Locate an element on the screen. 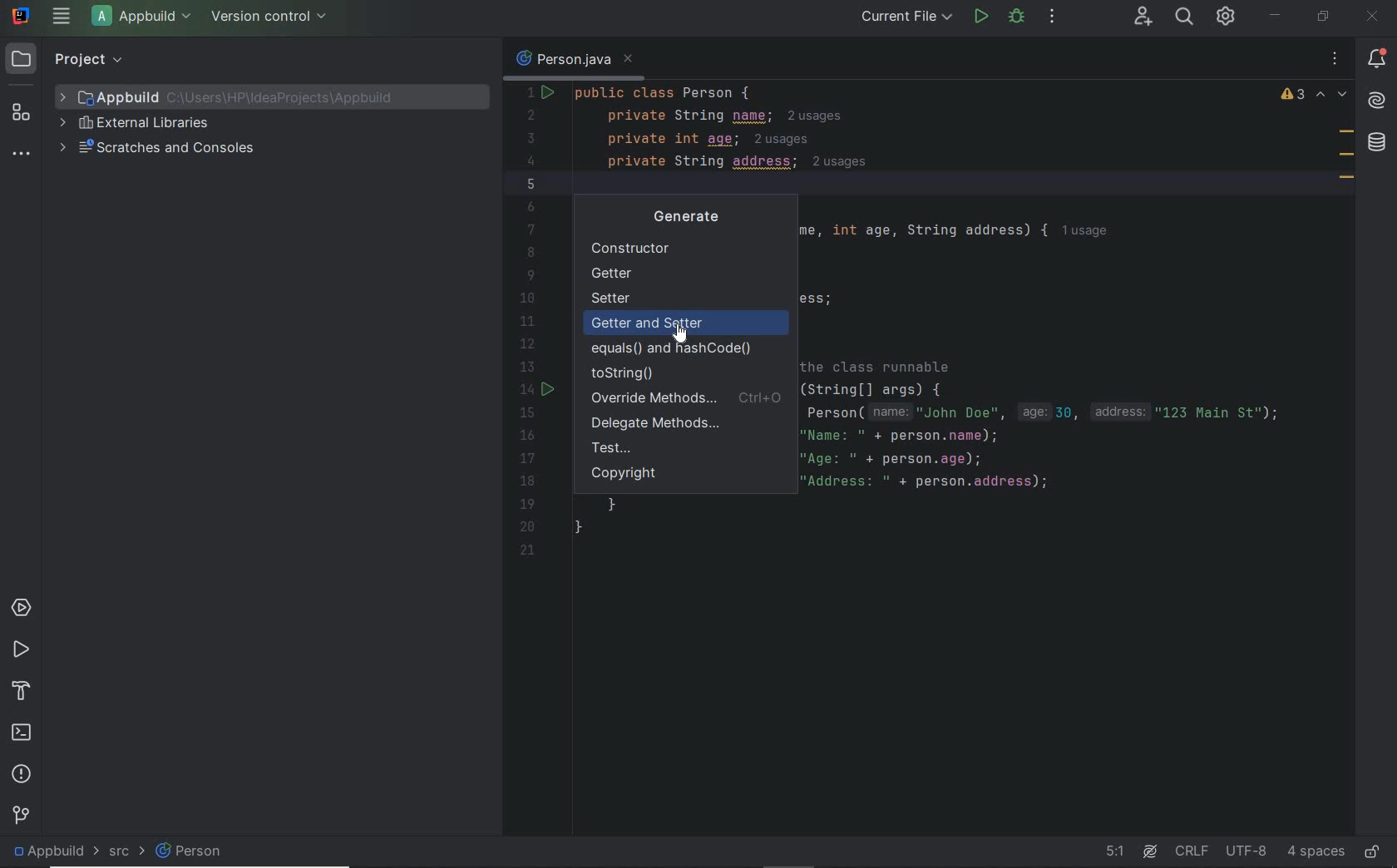  Getter is located at coordinates (623, 274).